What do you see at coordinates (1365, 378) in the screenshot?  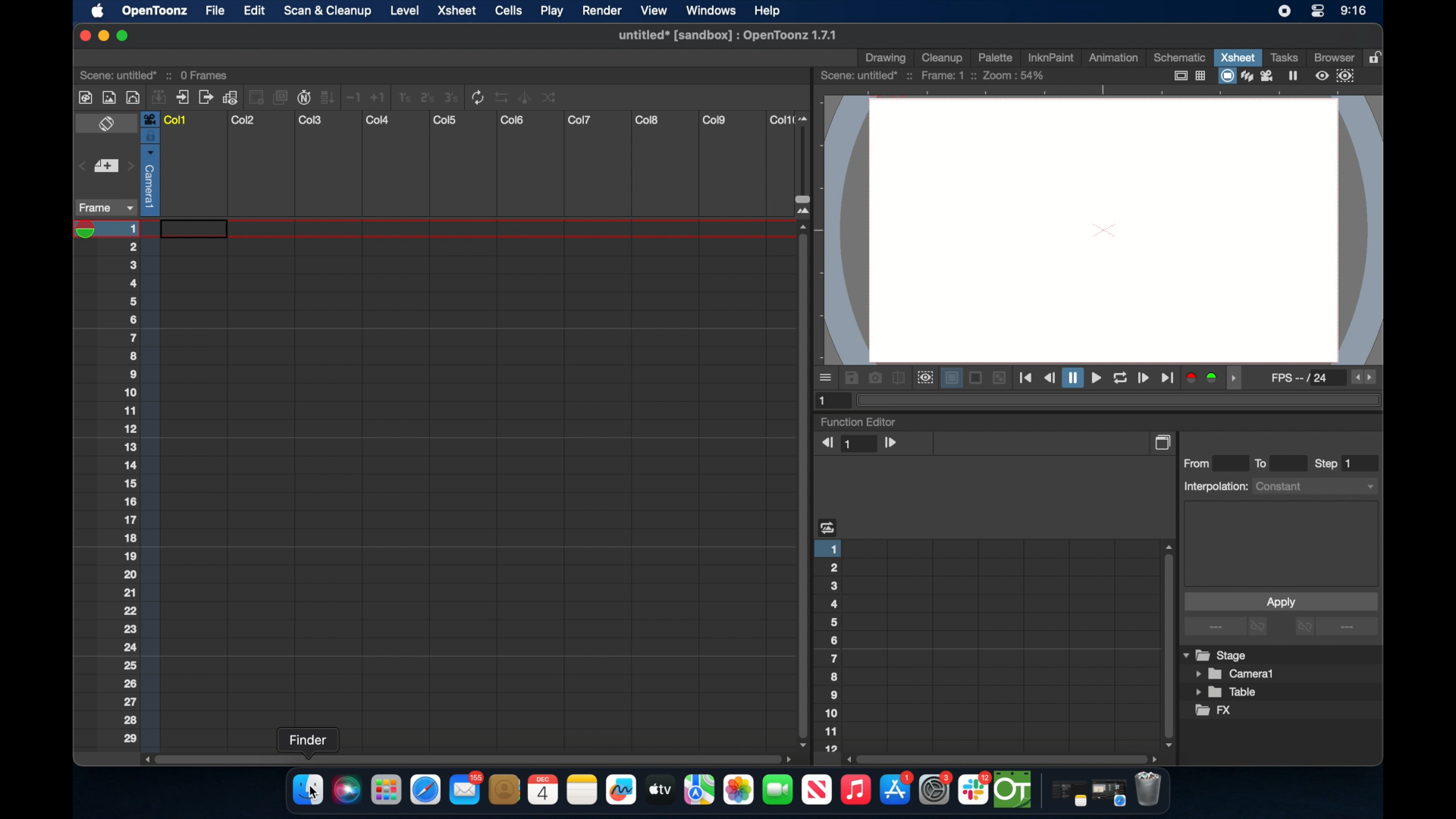 I see `fps` at bounding box center [1365, 378].